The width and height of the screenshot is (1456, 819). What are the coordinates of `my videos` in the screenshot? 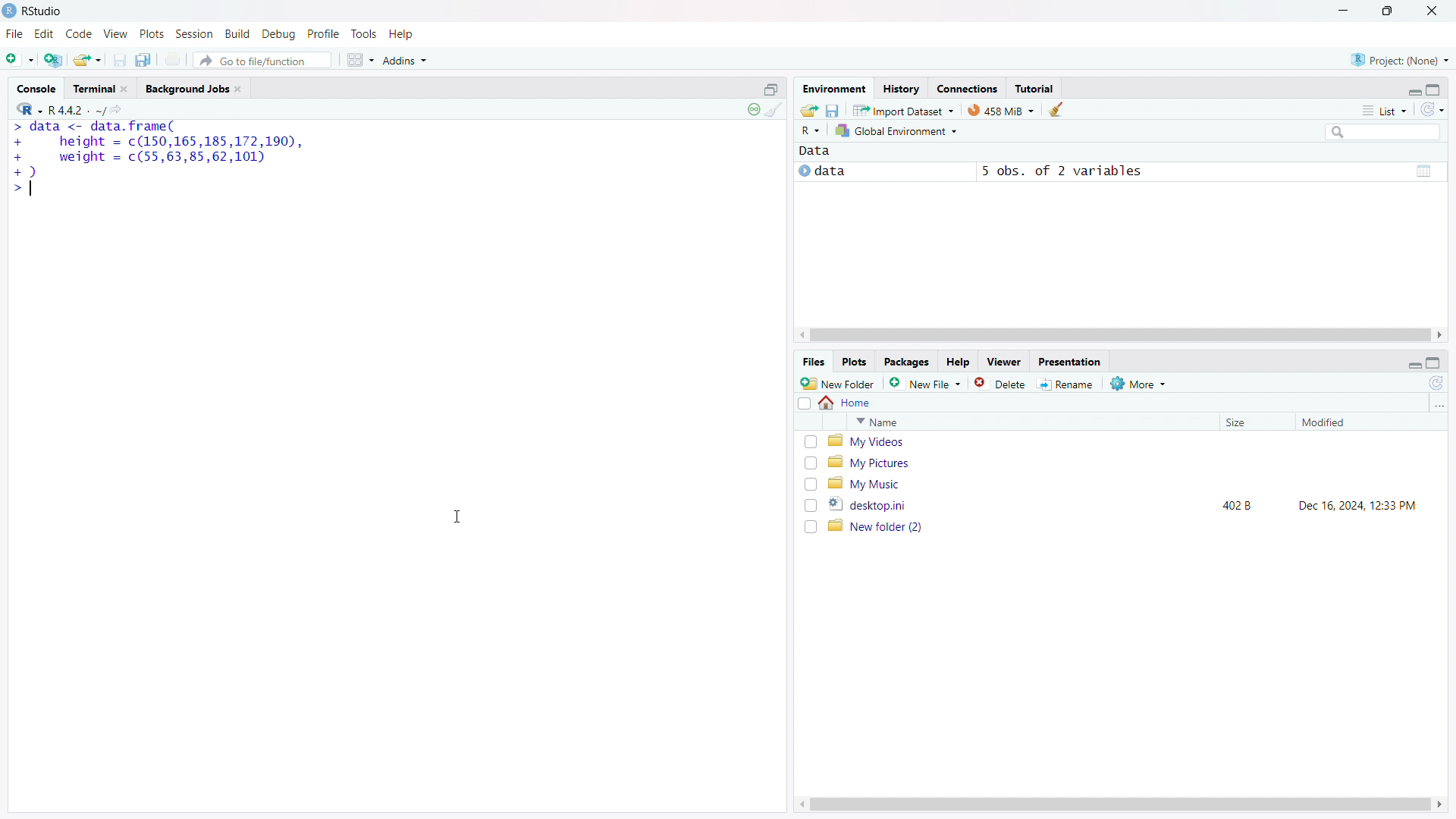 It's located at (1131, 441).